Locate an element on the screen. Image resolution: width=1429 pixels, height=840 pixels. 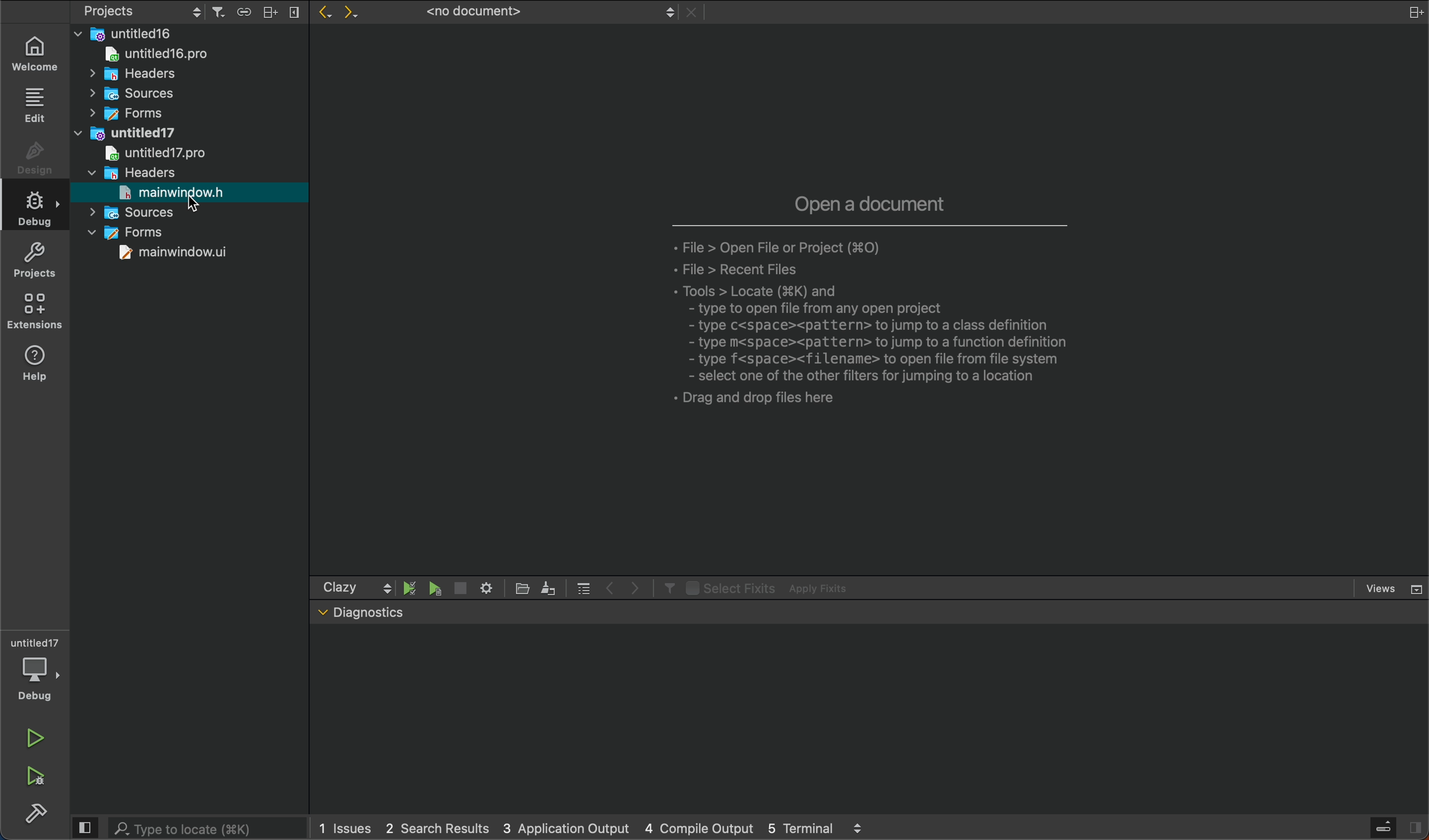
+ File > Open File or Project (880)

« File > Recent Files

» Tools > Locate (38K) and
- type to open file from any open project
- type c<space><pattern> to jump to a class definition
- type m<space><pattern> to jump to a function definition
- type f<space><filename> to open file from file system
- select one of the other filters for jumping to a location

+ Drag and drop files here is located at coordinates (888, 329).